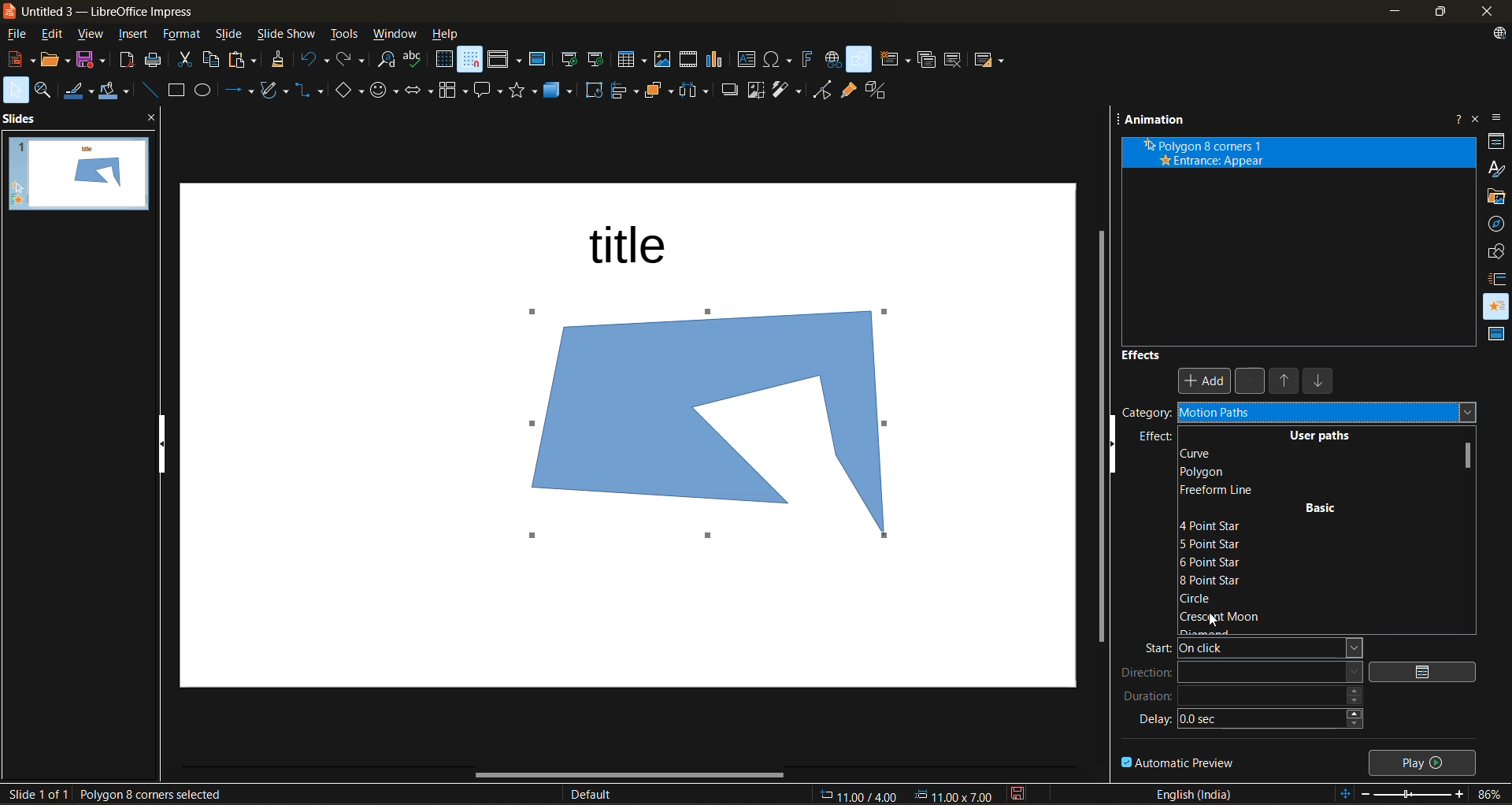  What do you see at coordinates (721, 429) in the screenshot?
I see `shape inserted` at bounding box center [721, 429].